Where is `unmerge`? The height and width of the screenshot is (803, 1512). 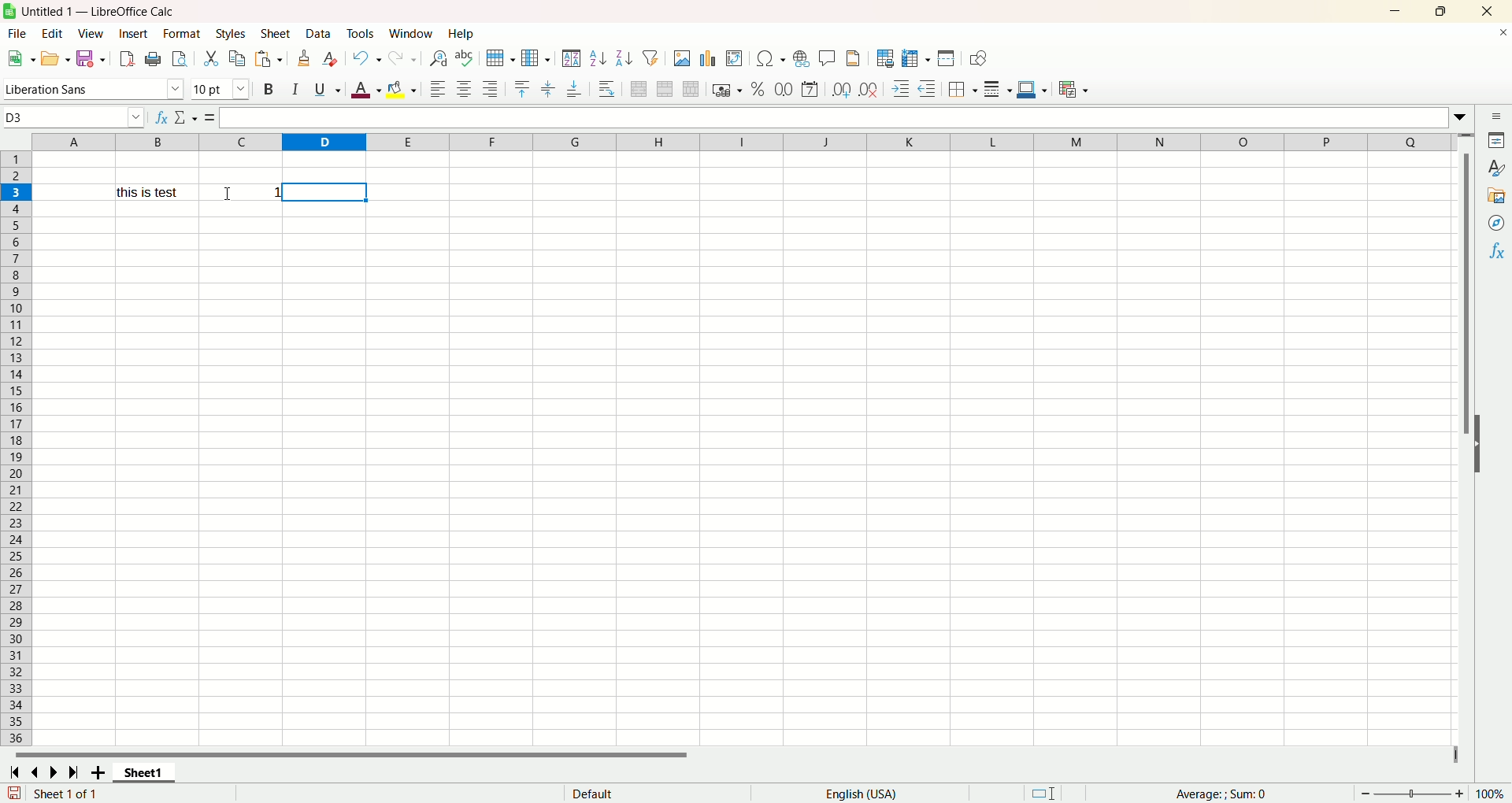 unmerge is located at coordinates (691, 89).